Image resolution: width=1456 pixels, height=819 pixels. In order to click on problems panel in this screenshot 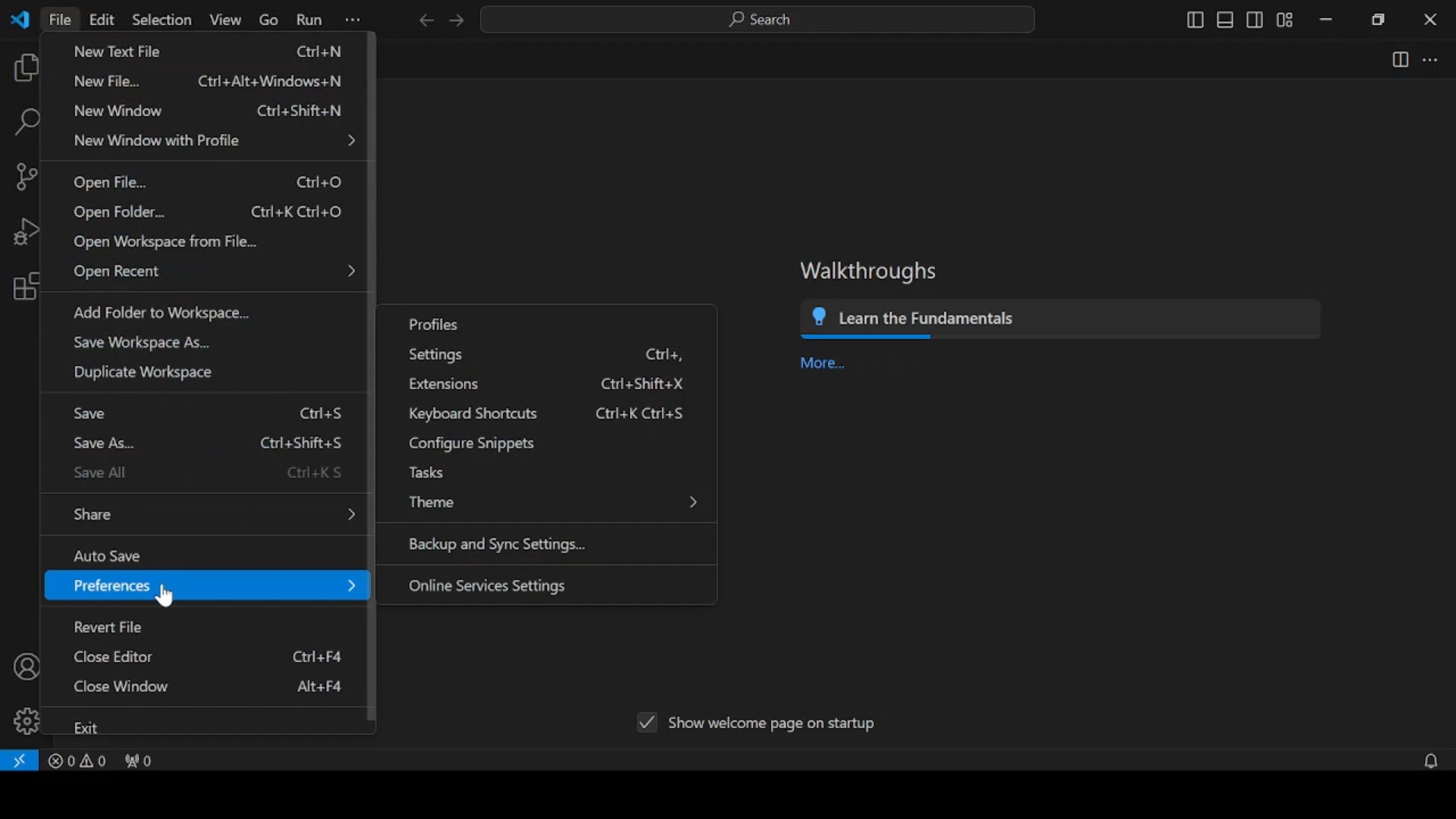, I will do `click(77, 760)`.